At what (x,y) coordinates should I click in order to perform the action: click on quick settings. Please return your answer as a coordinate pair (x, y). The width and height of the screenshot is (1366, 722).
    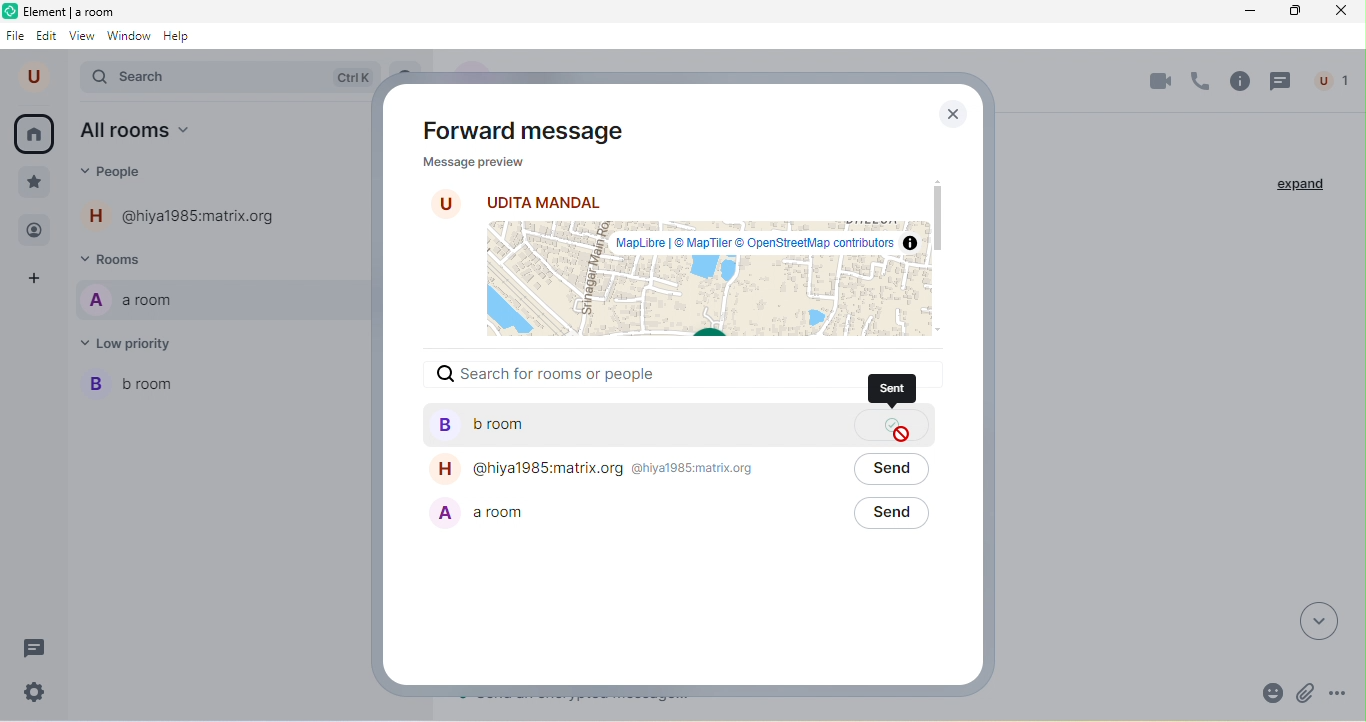
    Looking at the image, I should click on (35, 693).